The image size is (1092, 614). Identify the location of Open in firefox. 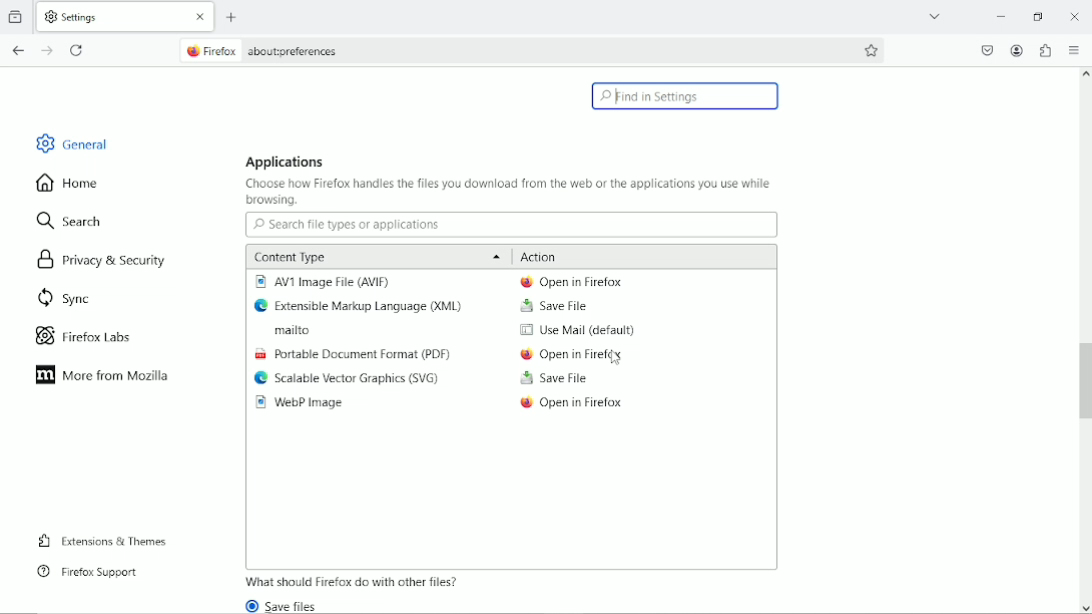
(573, 406).